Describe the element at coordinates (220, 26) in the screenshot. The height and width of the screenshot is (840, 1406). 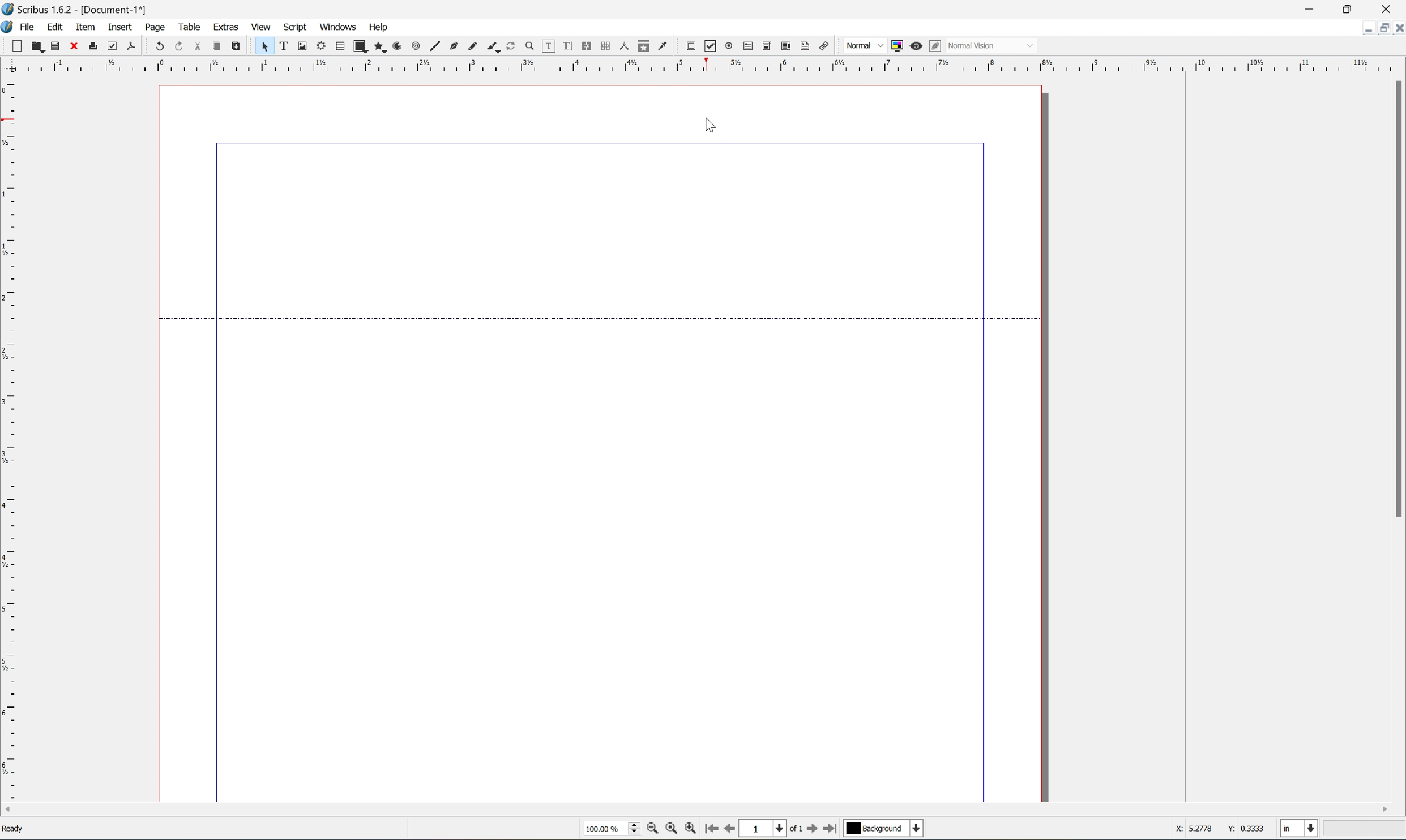
I see `extras` at that location.